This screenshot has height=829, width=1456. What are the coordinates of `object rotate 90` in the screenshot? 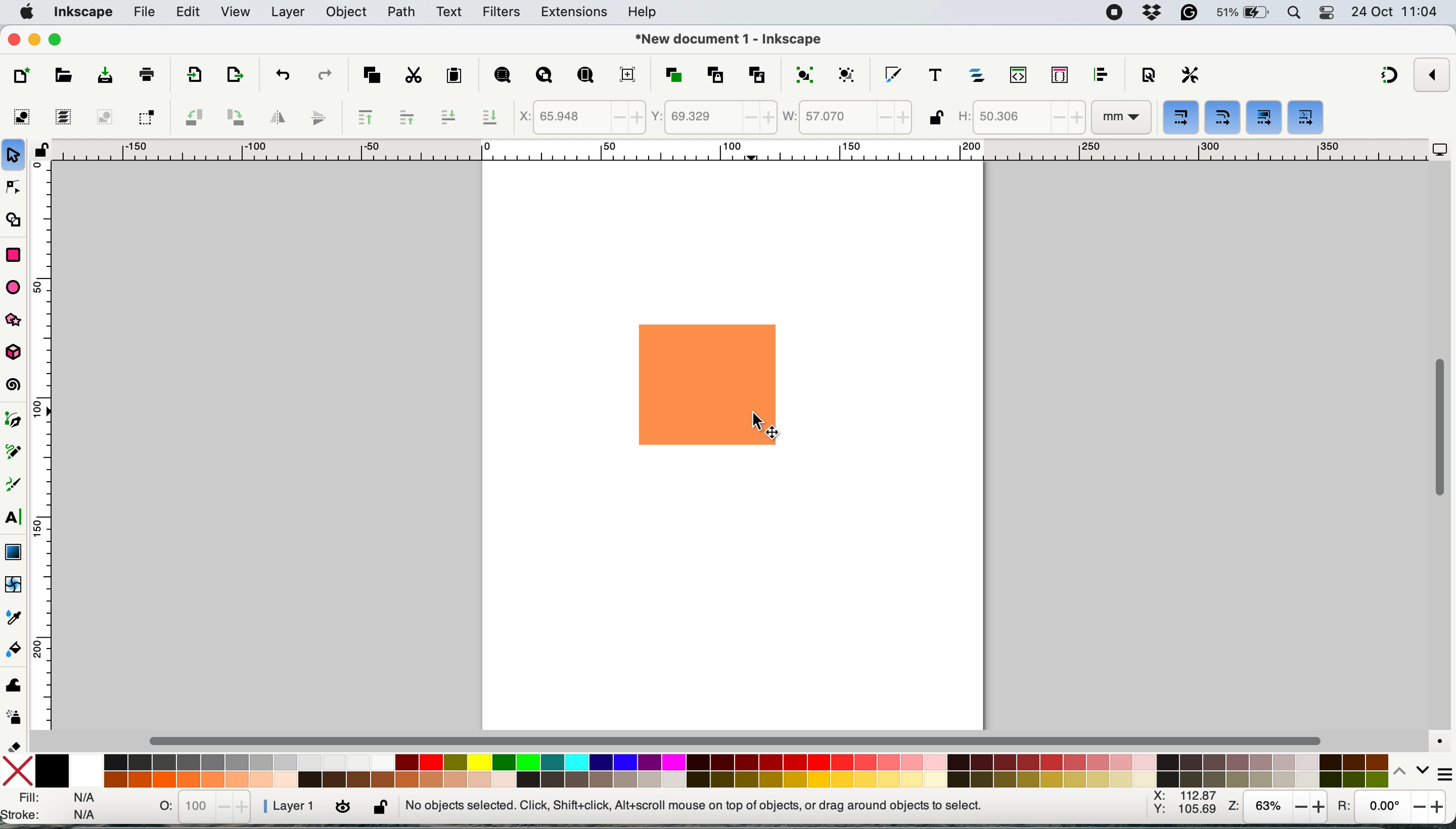 It's located at (234, 116).